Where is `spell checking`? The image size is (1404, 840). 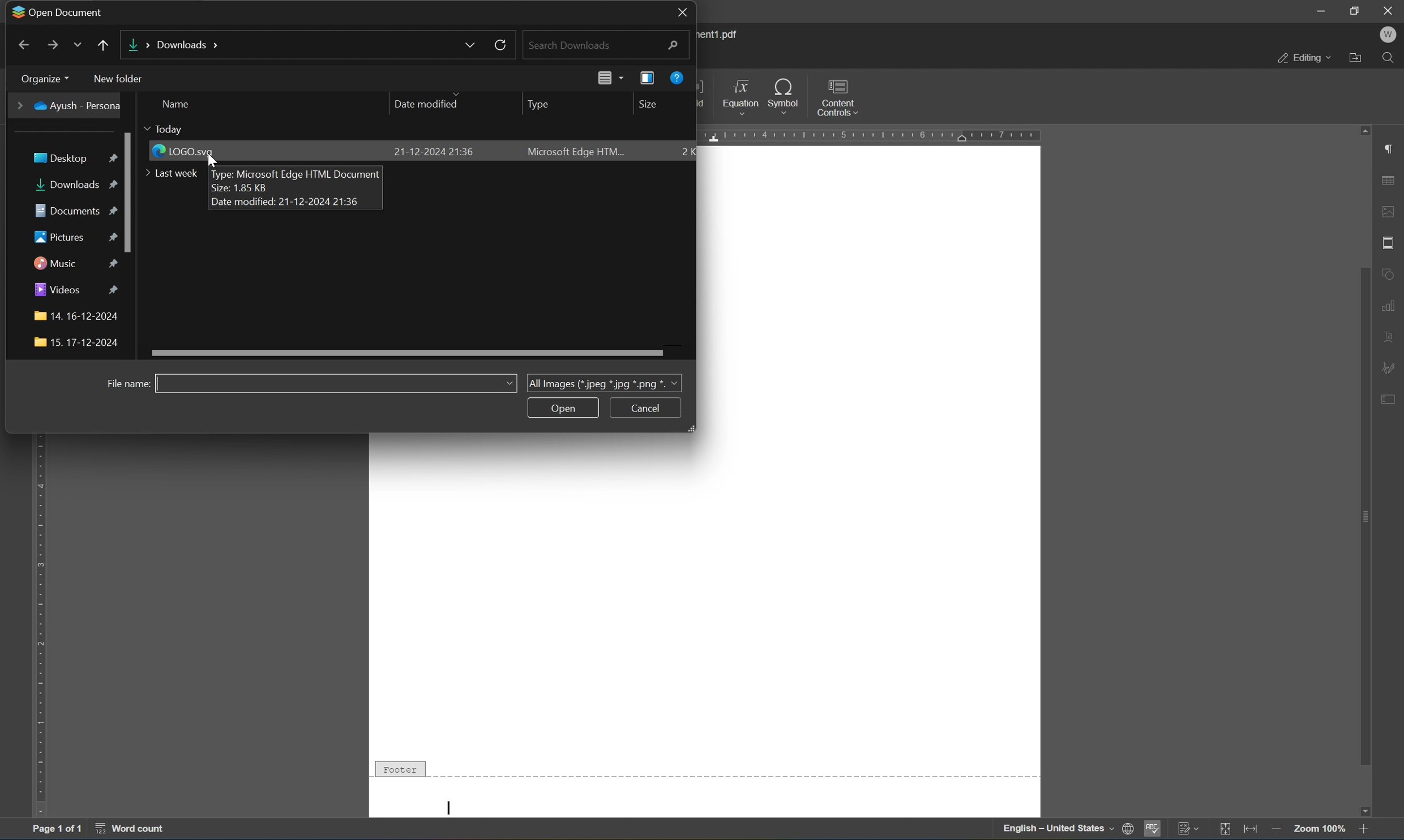
spell checking is located at coordinates (1152, 830).